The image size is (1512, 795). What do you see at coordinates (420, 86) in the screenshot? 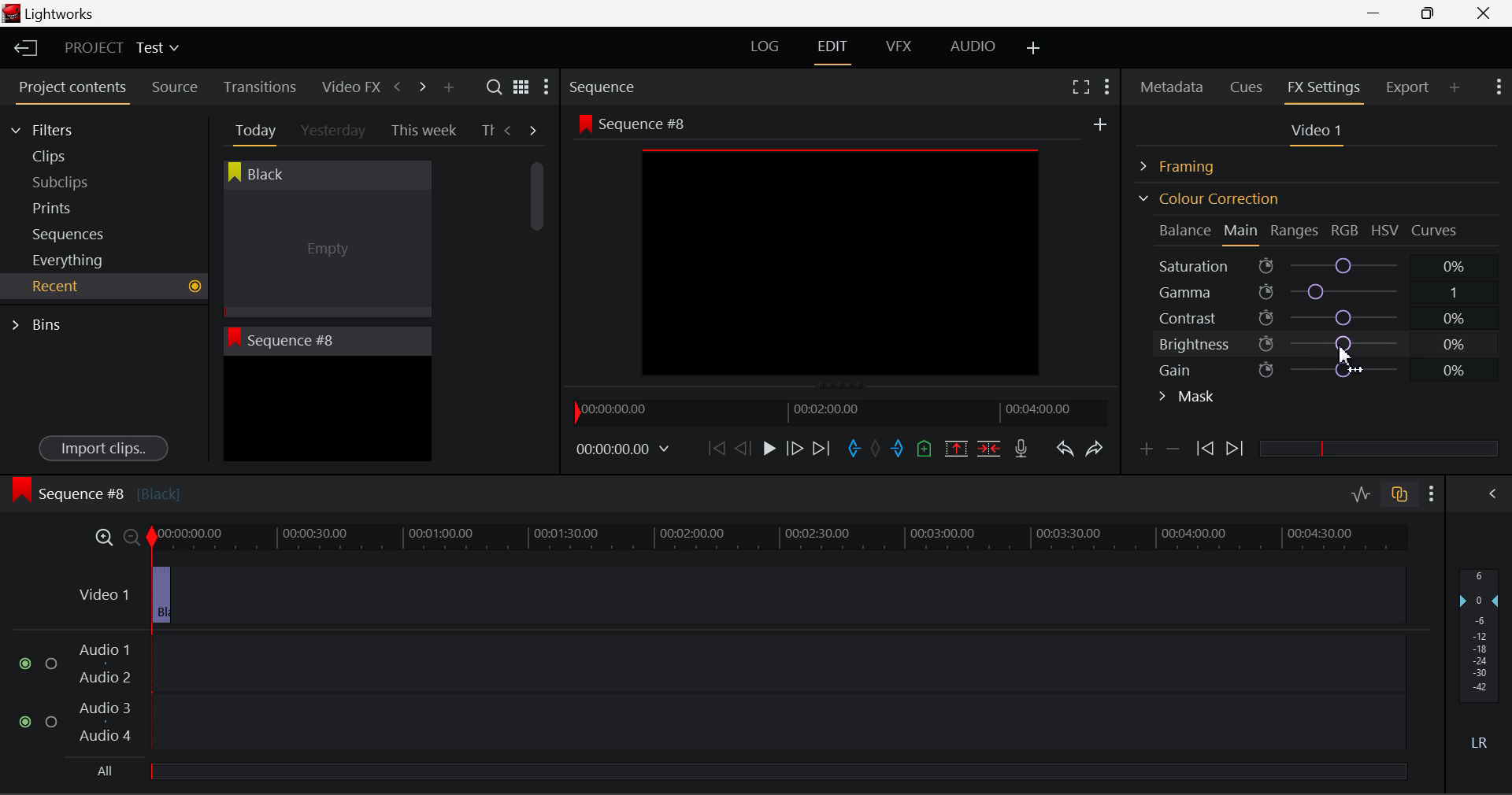
I see `Next Panel` at bounding box center [420, 86].